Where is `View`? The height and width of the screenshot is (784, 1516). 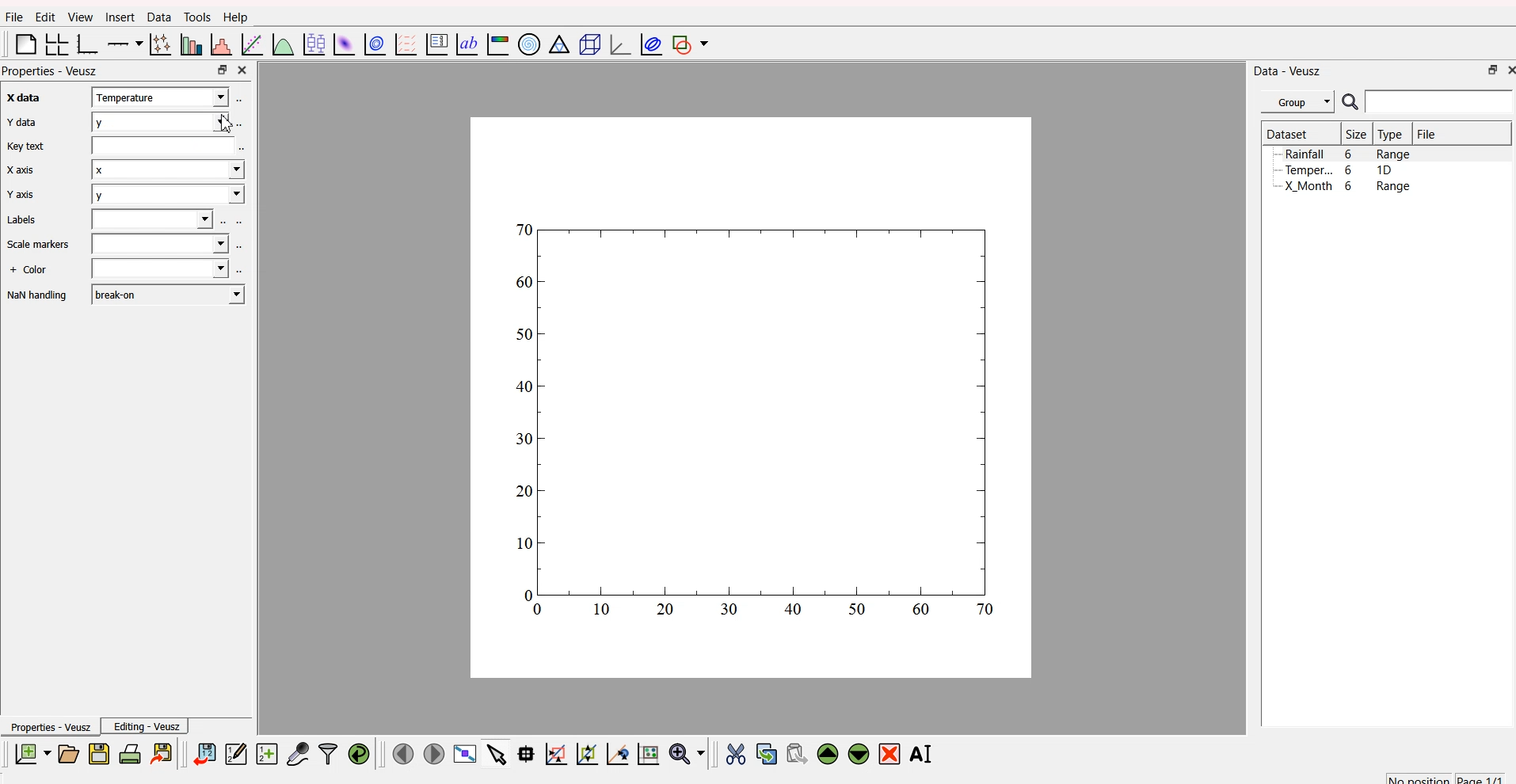
View is located at coordinates (76, 17).